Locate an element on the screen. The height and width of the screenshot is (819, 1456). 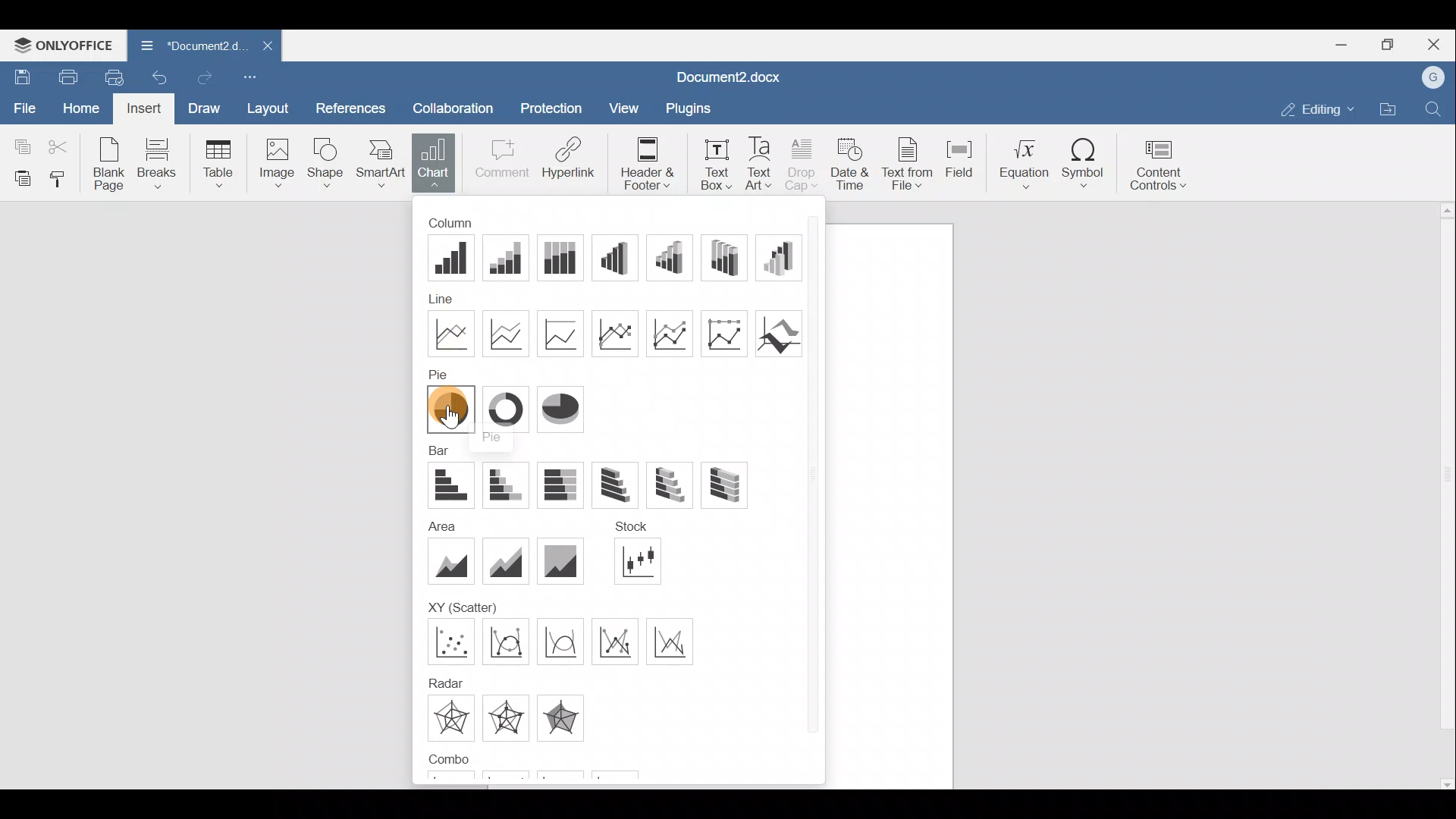
Date & time is located at coordinates (852, 162).